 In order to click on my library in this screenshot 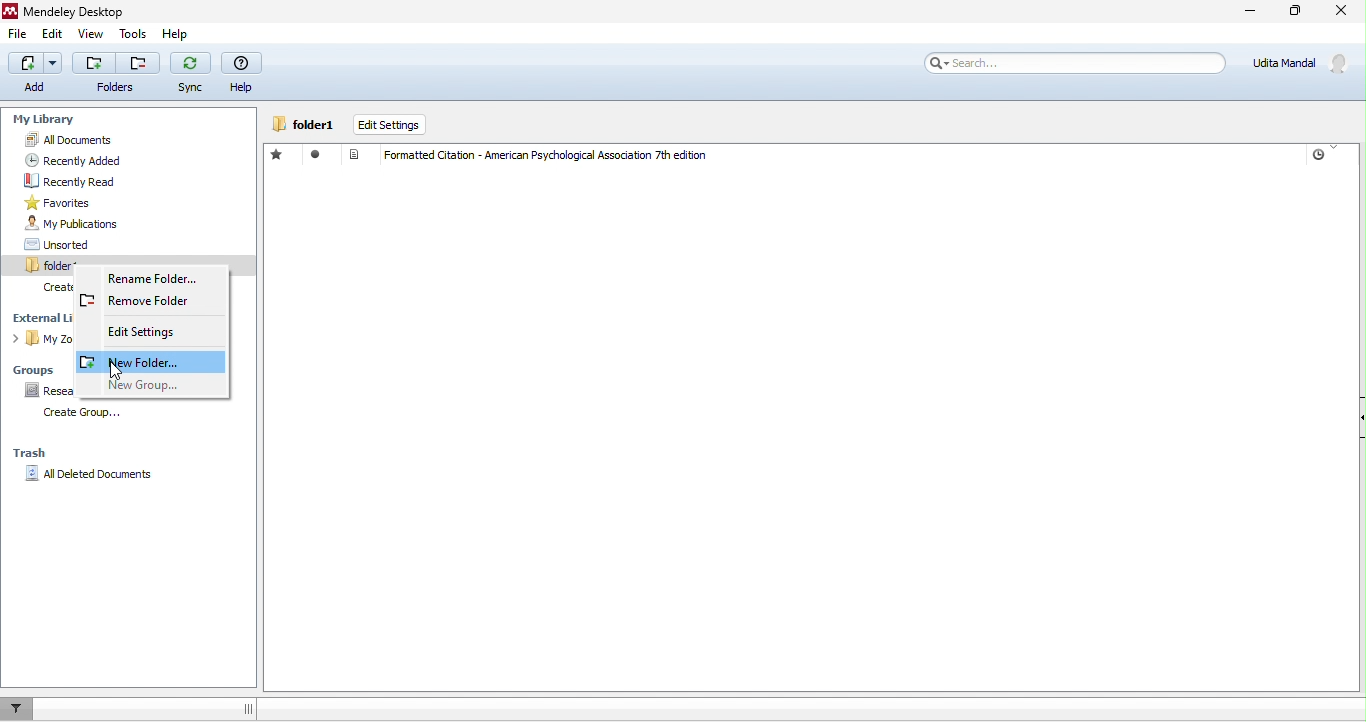, I will do `click(49, 120)`.